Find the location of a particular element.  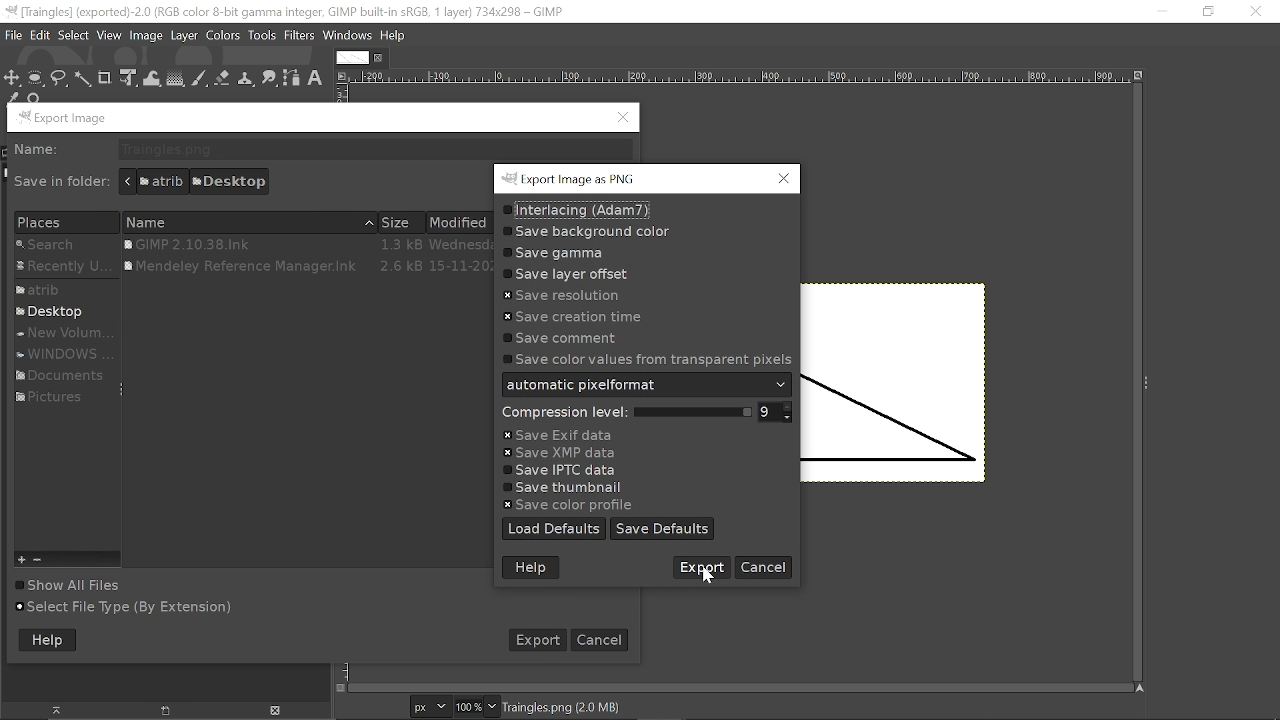

name of the file is located at coordinates (373, 150).